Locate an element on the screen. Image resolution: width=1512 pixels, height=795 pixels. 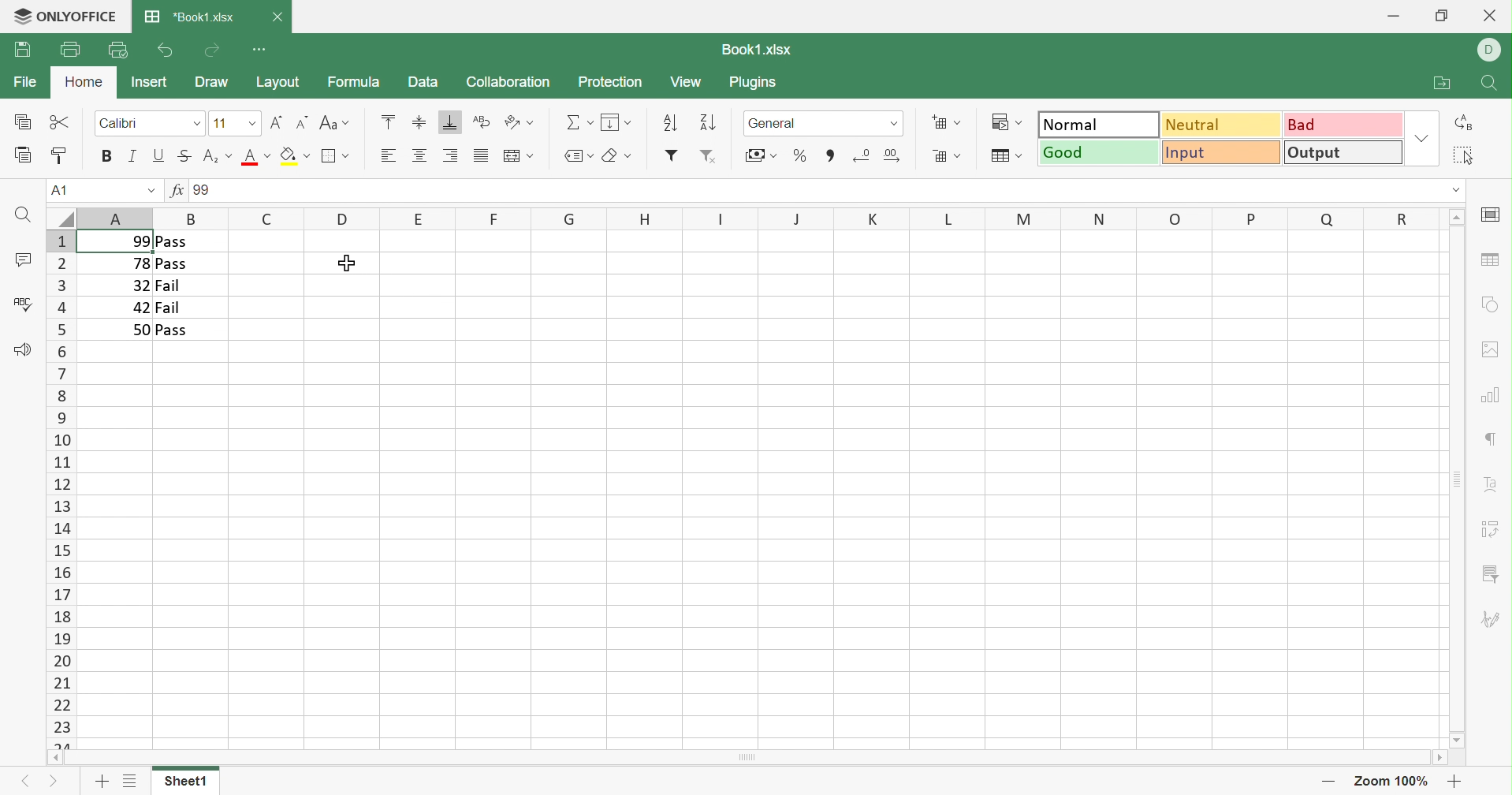
Font color is located at coordinates (255, 155).